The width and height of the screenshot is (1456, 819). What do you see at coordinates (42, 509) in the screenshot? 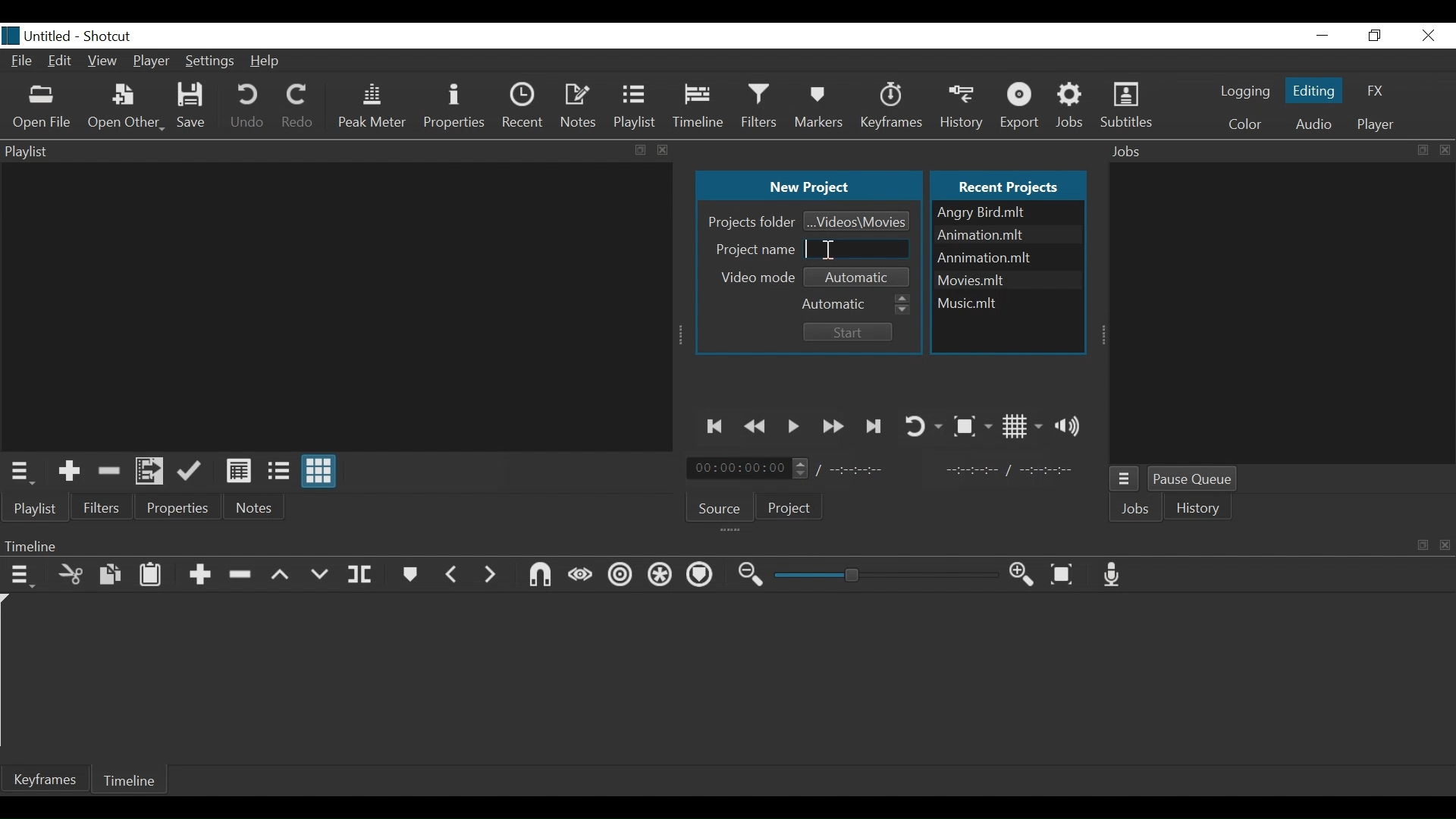
I see `Playlist menu` at bounding box center [42, 509].